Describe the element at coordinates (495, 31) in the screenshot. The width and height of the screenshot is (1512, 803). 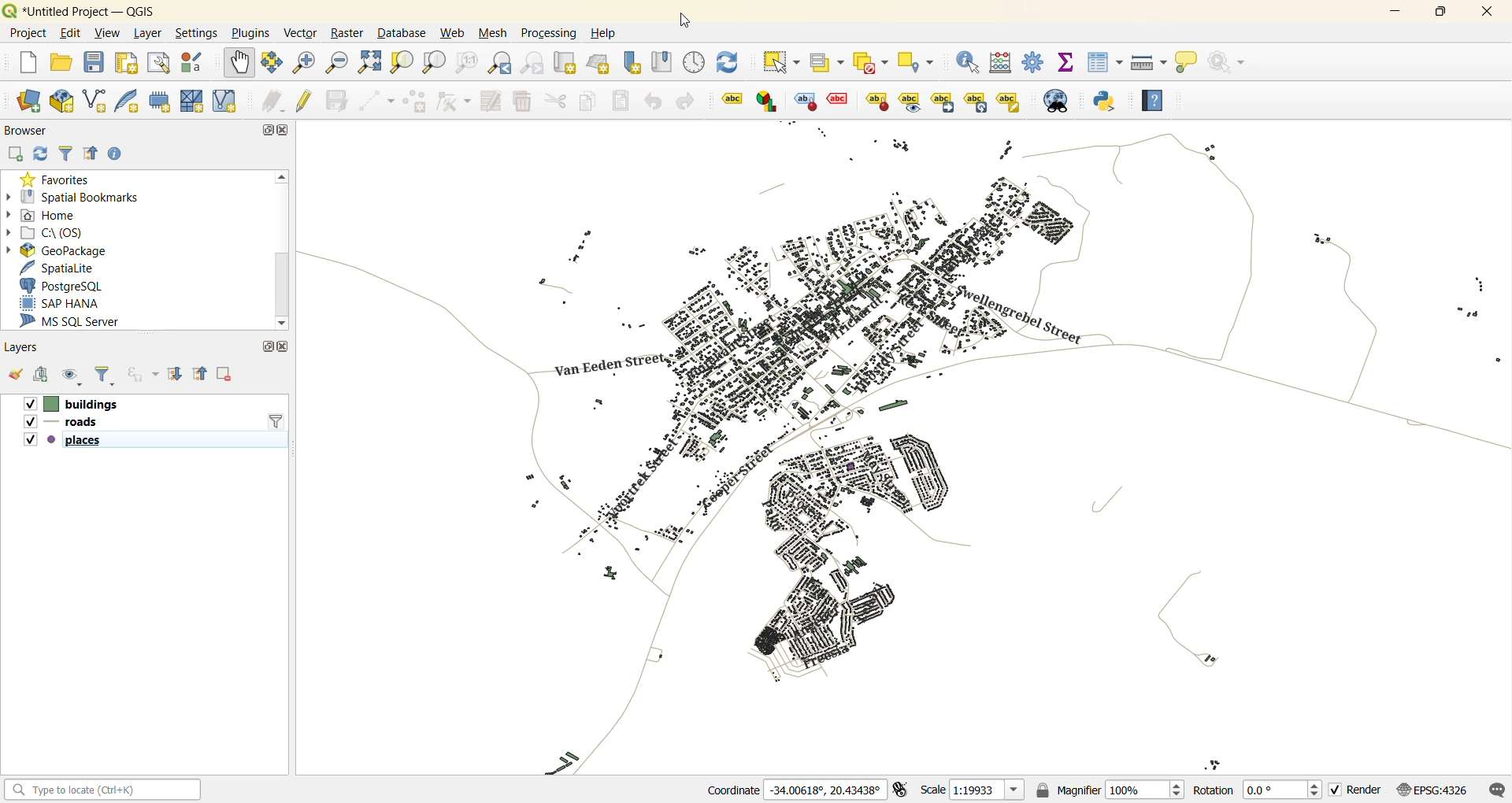
I see `mesh` at that location.